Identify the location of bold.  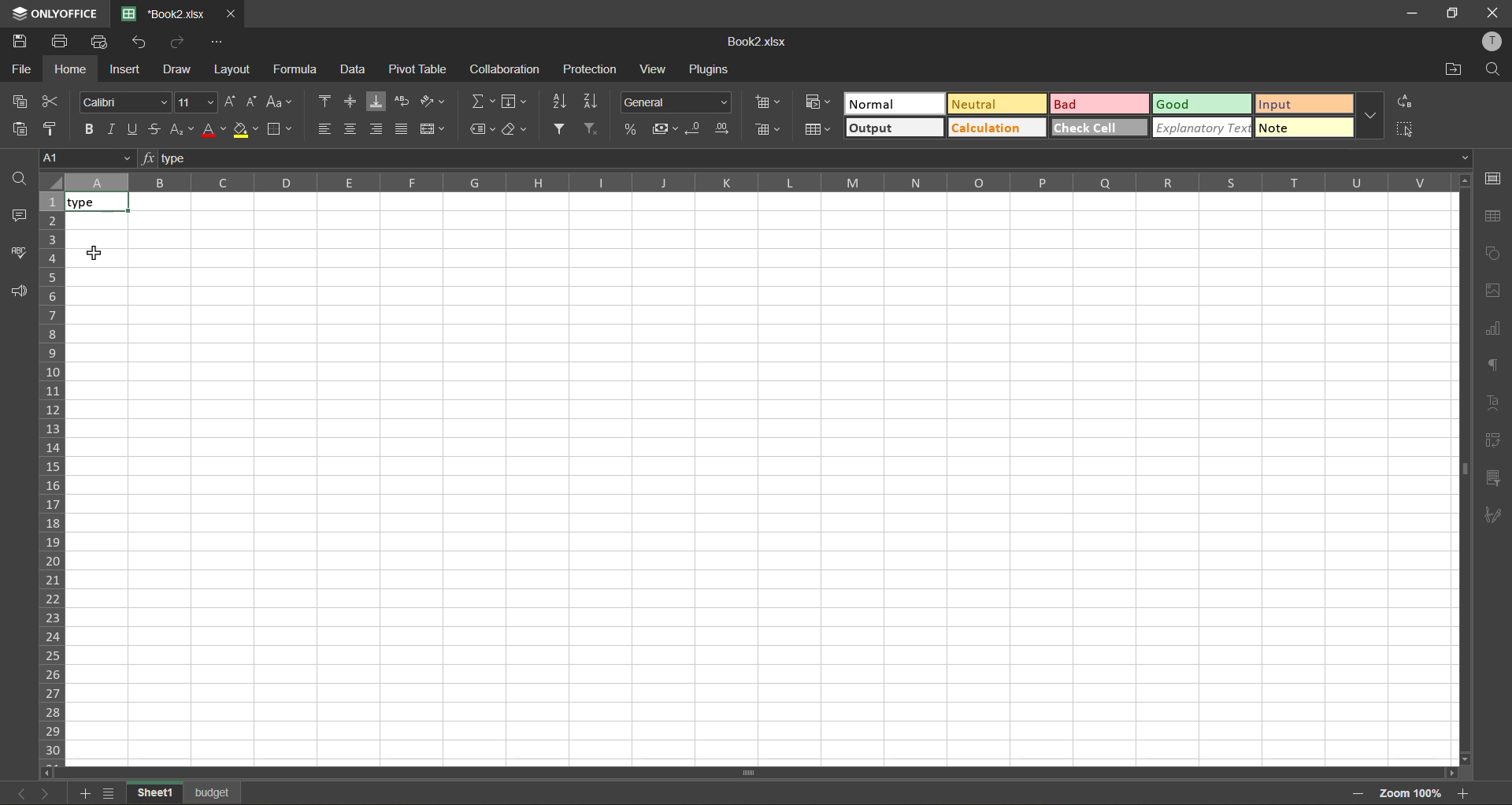
(90, 128).